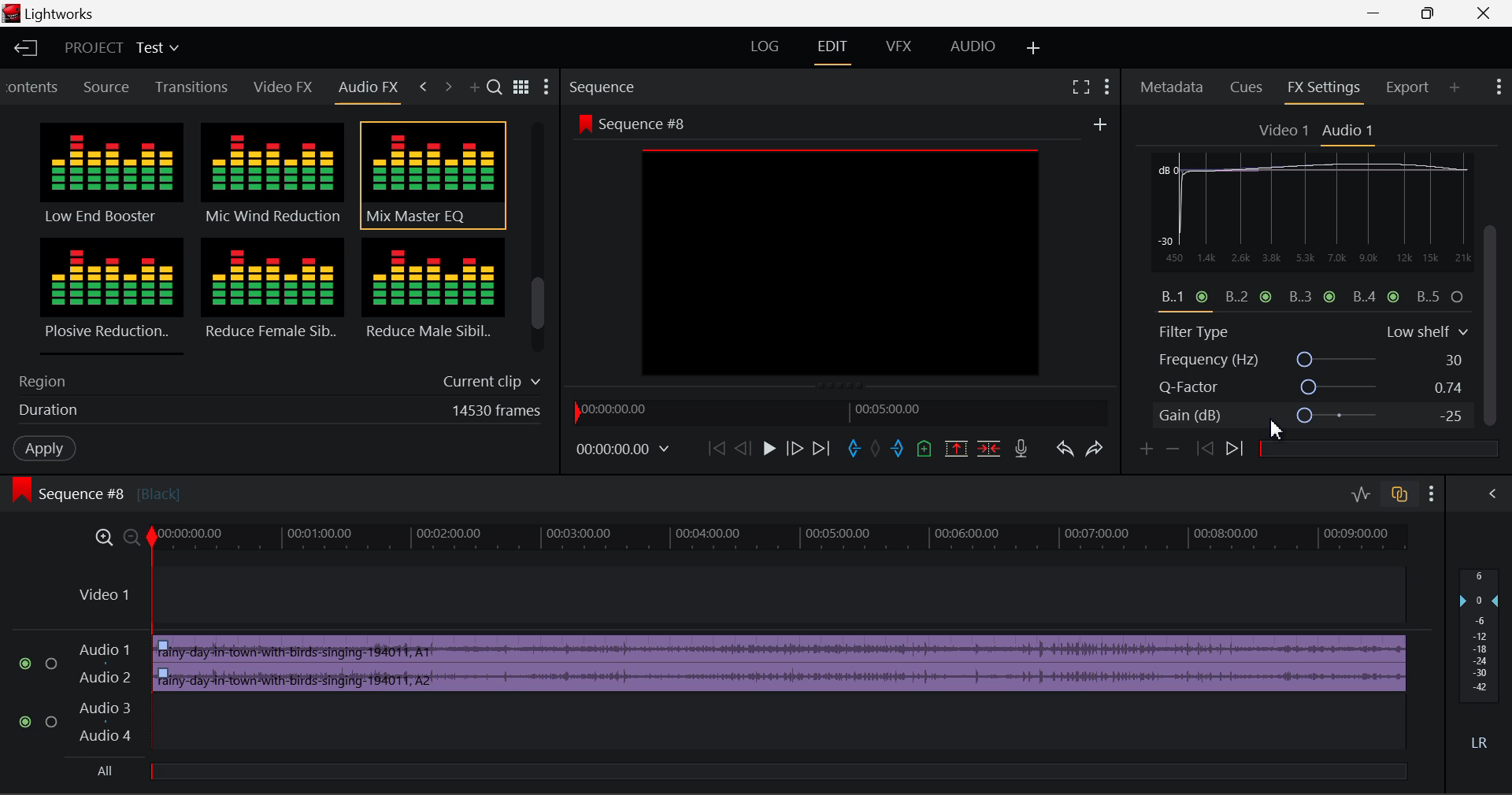  I want to click on Go Back, so click(743, 449).